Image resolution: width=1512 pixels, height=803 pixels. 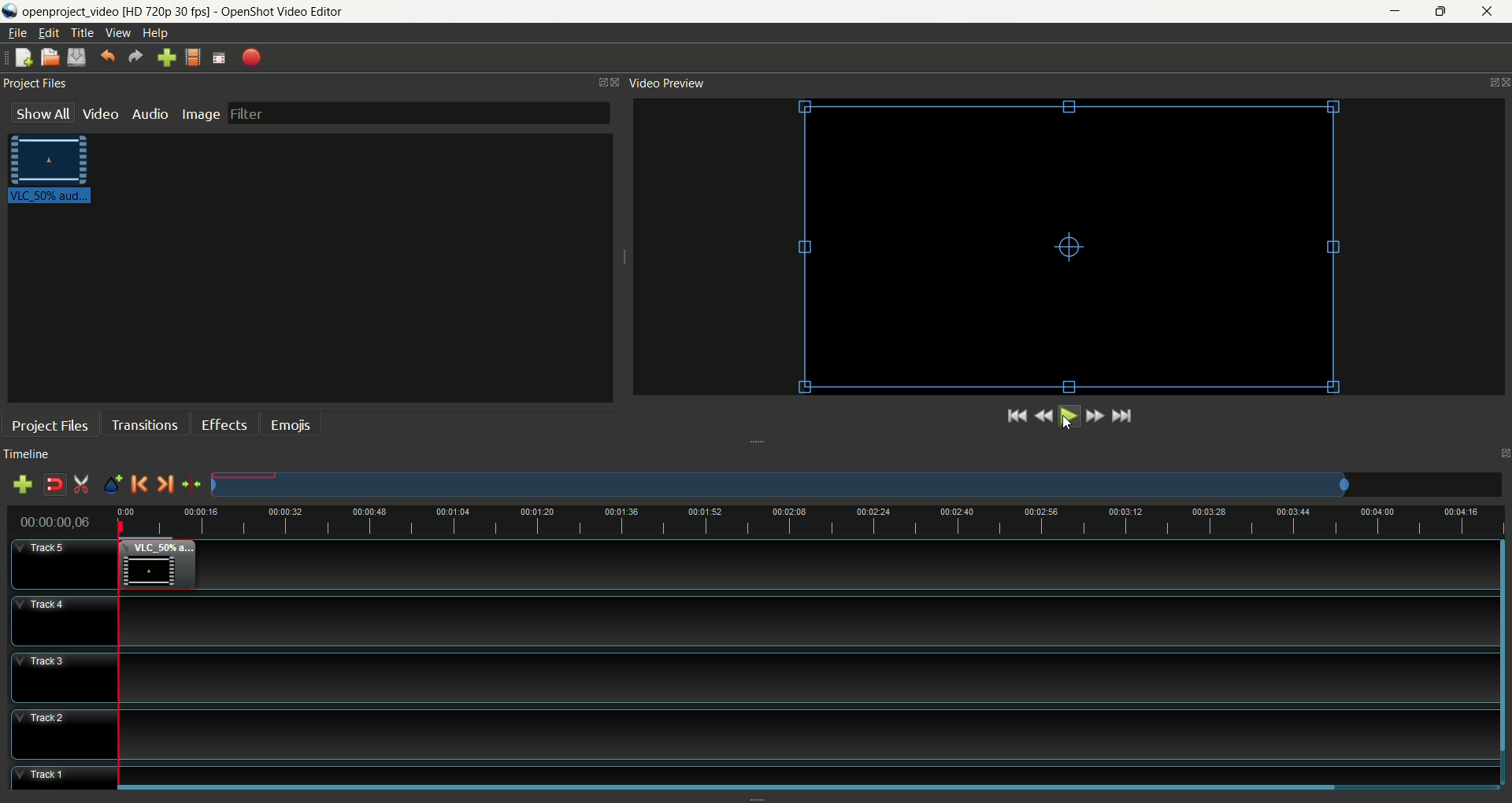 I want to click on redo, so click(x=135, y=56).